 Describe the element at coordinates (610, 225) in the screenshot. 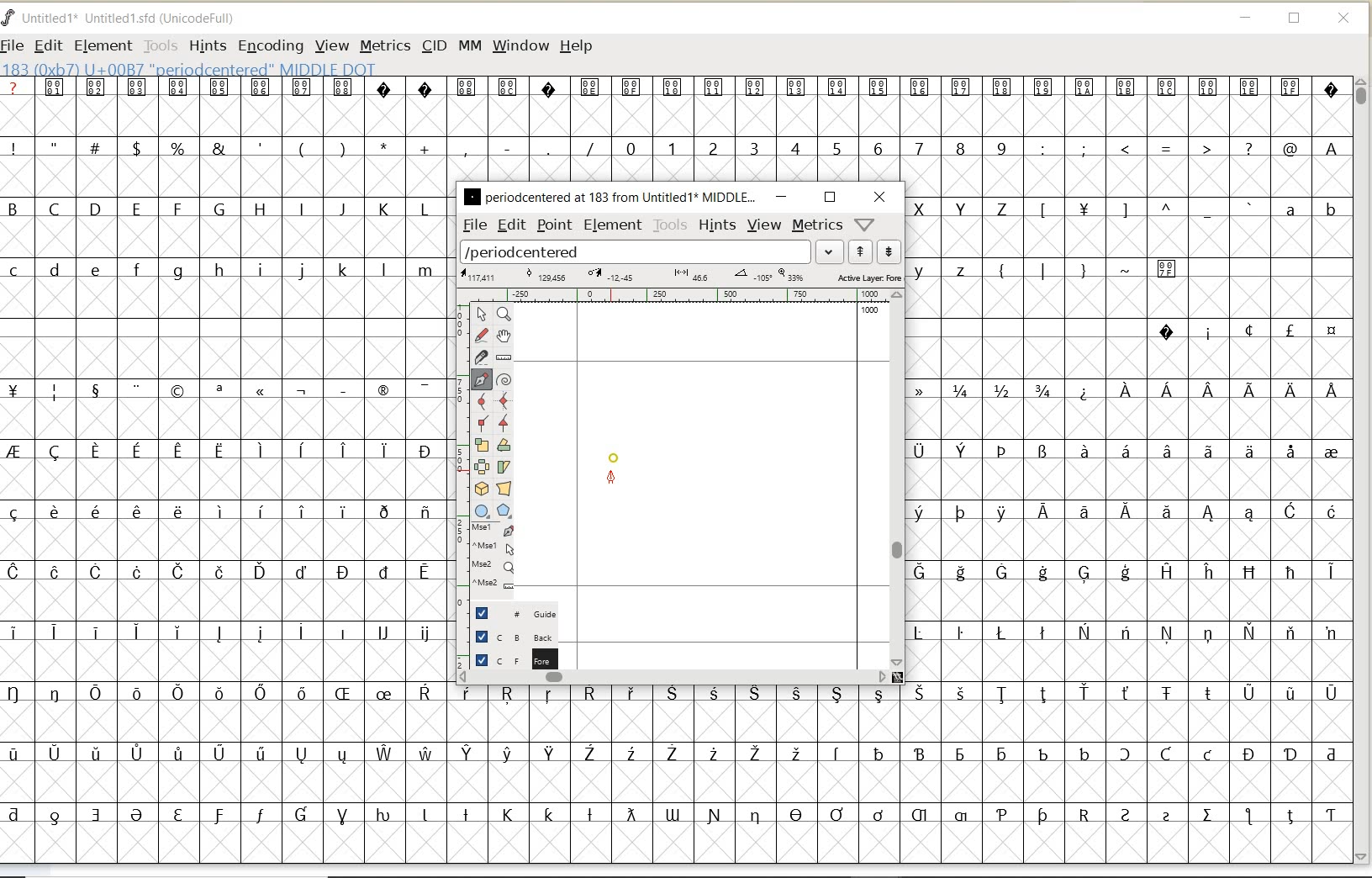

I see `element` at that location.